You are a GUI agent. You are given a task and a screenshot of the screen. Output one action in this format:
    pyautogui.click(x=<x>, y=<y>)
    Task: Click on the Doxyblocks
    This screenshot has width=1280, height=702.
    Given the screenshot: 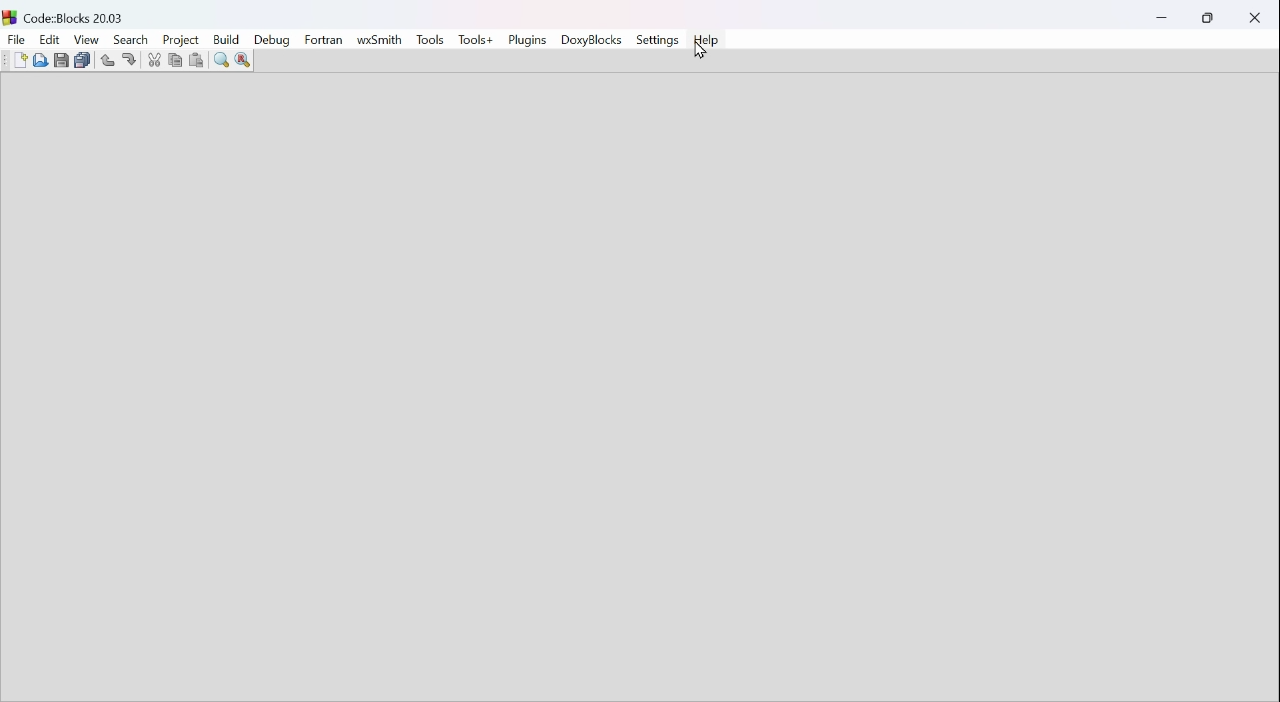 What is the action you would take?
    pyautogui.click(x=594, y=41)
    